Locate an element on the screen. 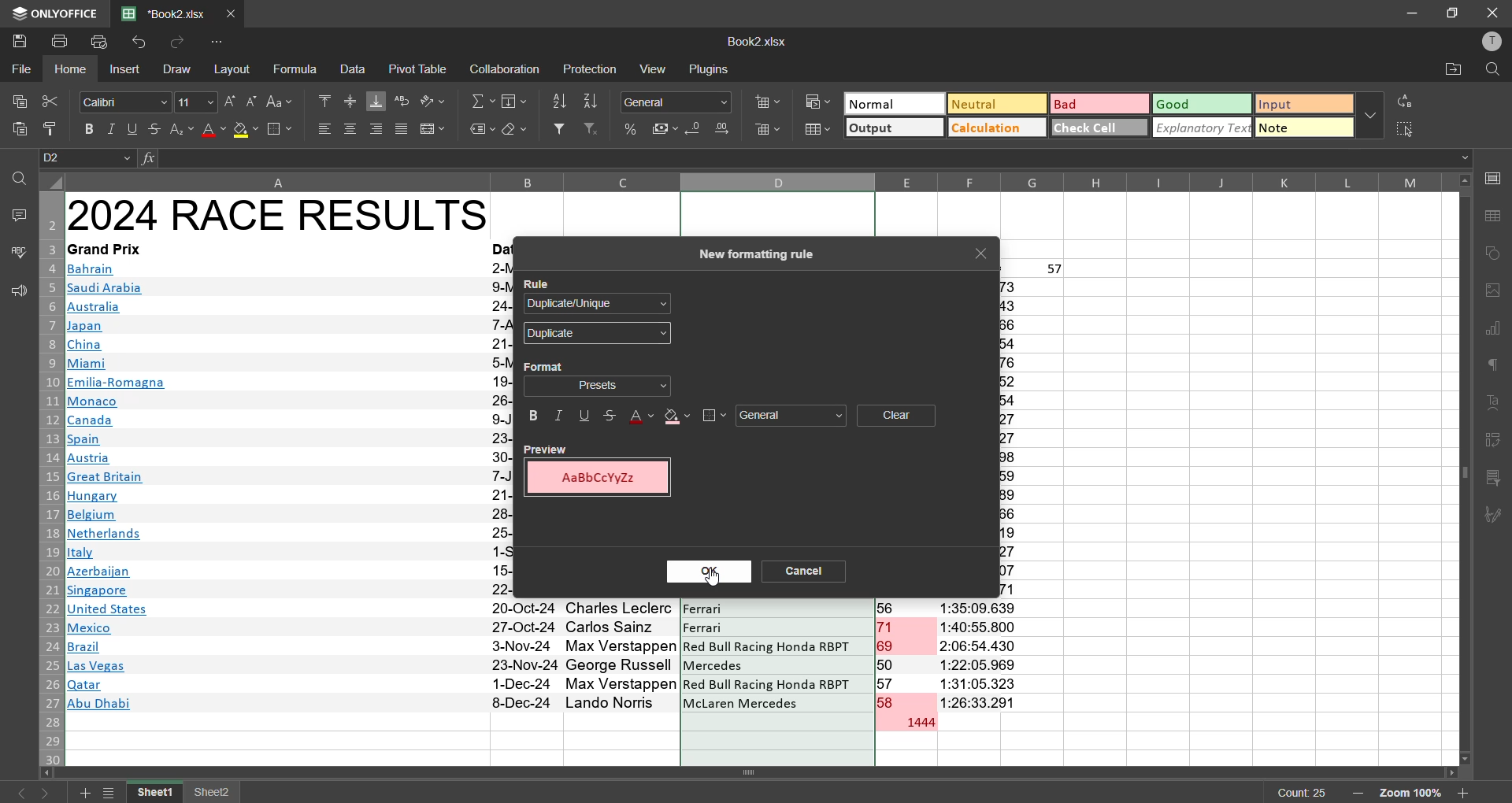 Image resolution: width=1512 pixels, height=803 pixels. zoom in is located at coordinates (1463, 793).